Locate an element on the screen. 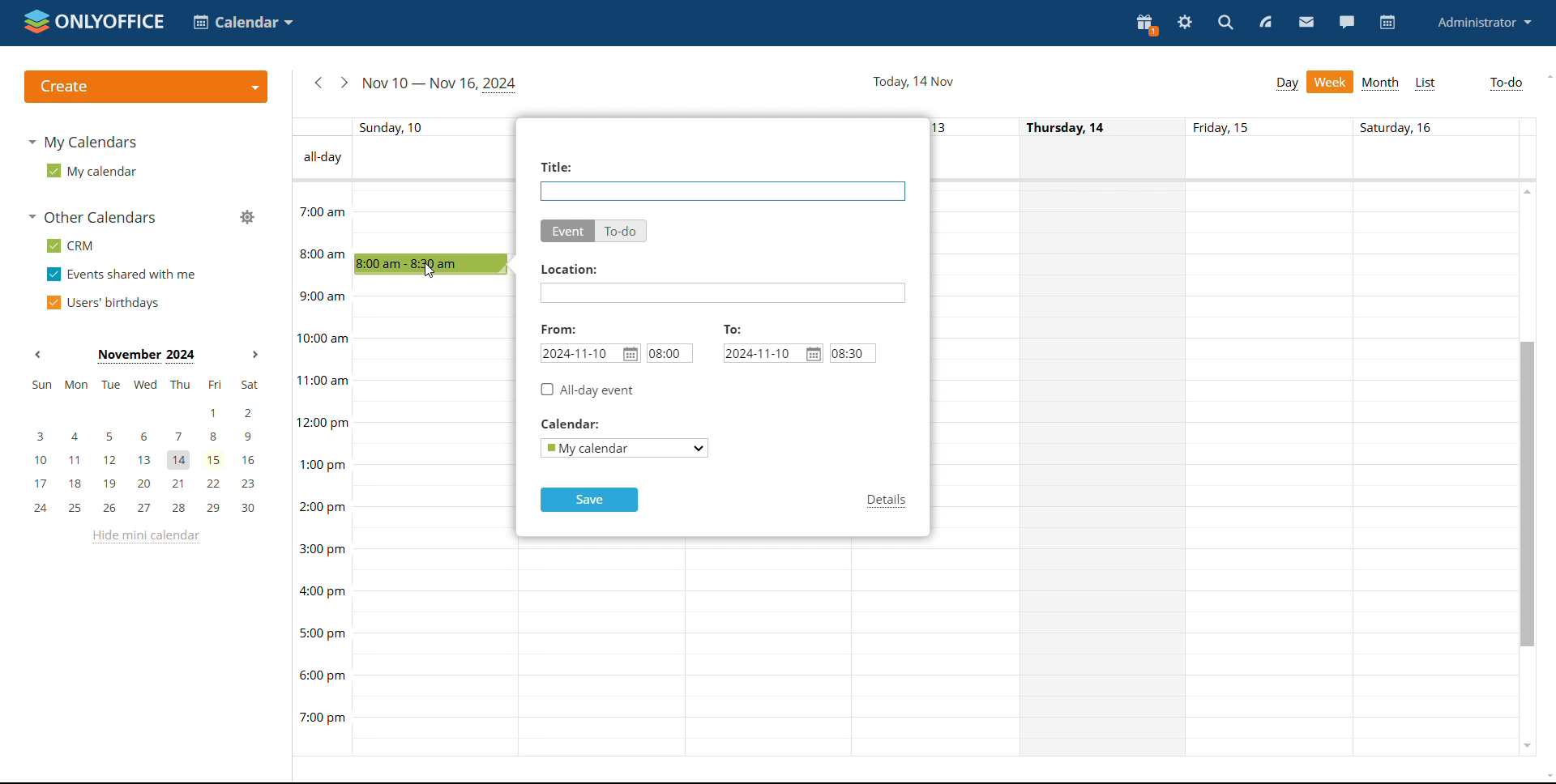 Image resolution: width=1556 pixels, height=784 pixels. mail is located at coordinates (1307, 23).